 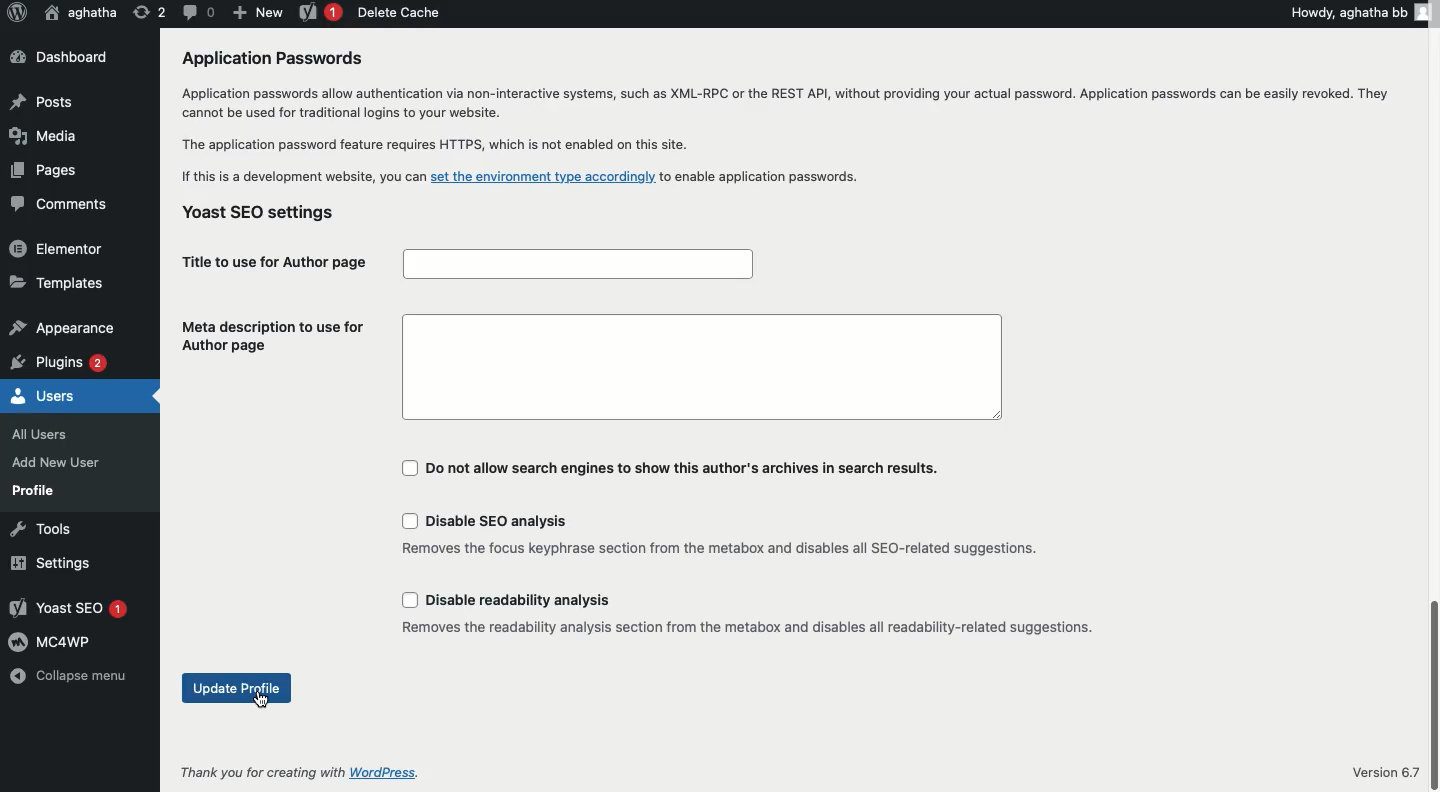 I want to click on Templates, so click(x=58, y=281).